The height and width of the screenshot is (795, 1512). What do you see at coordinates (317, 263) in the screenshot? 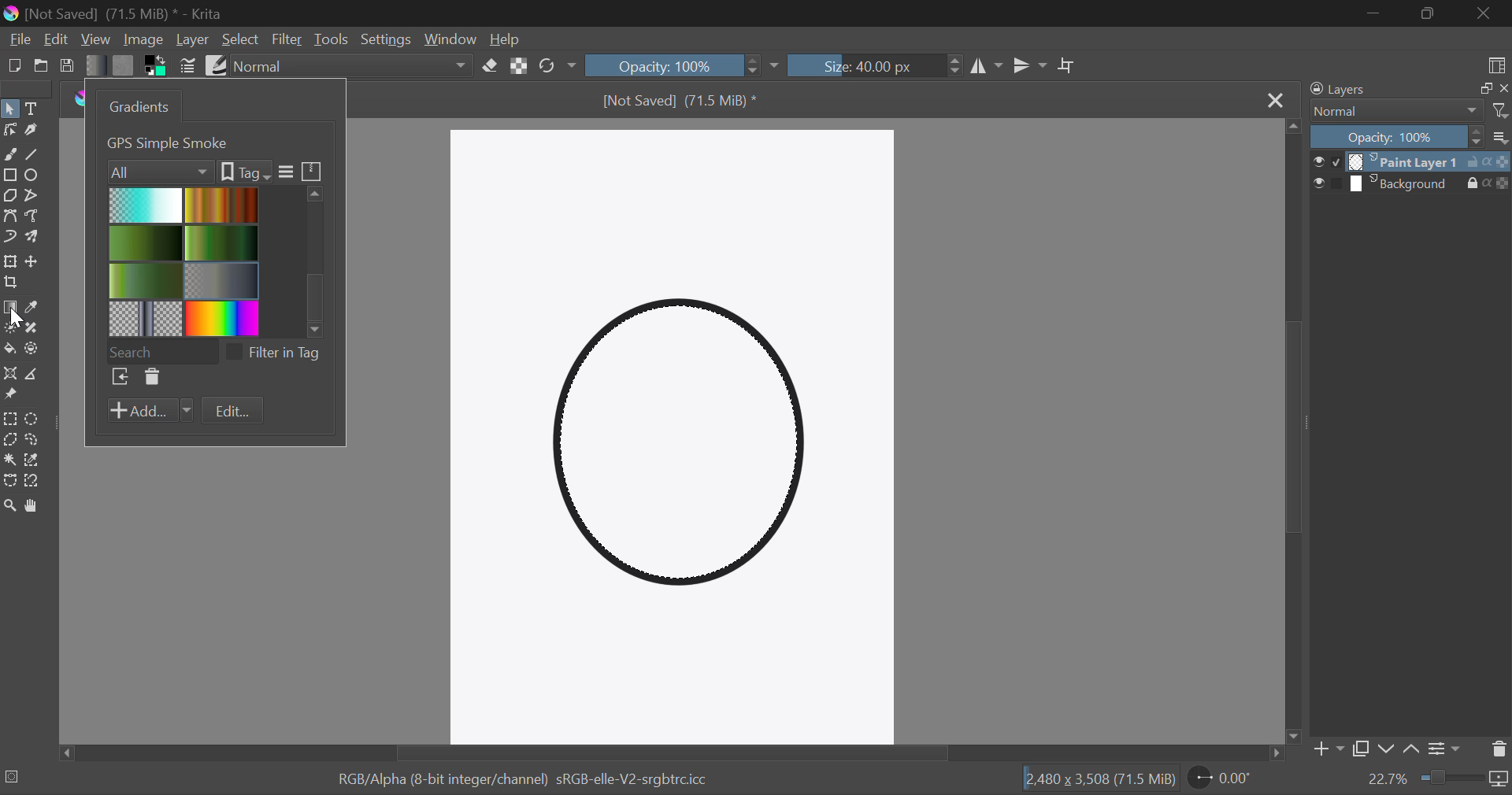
I see `scroll bar` at bounding box center [317, 263].